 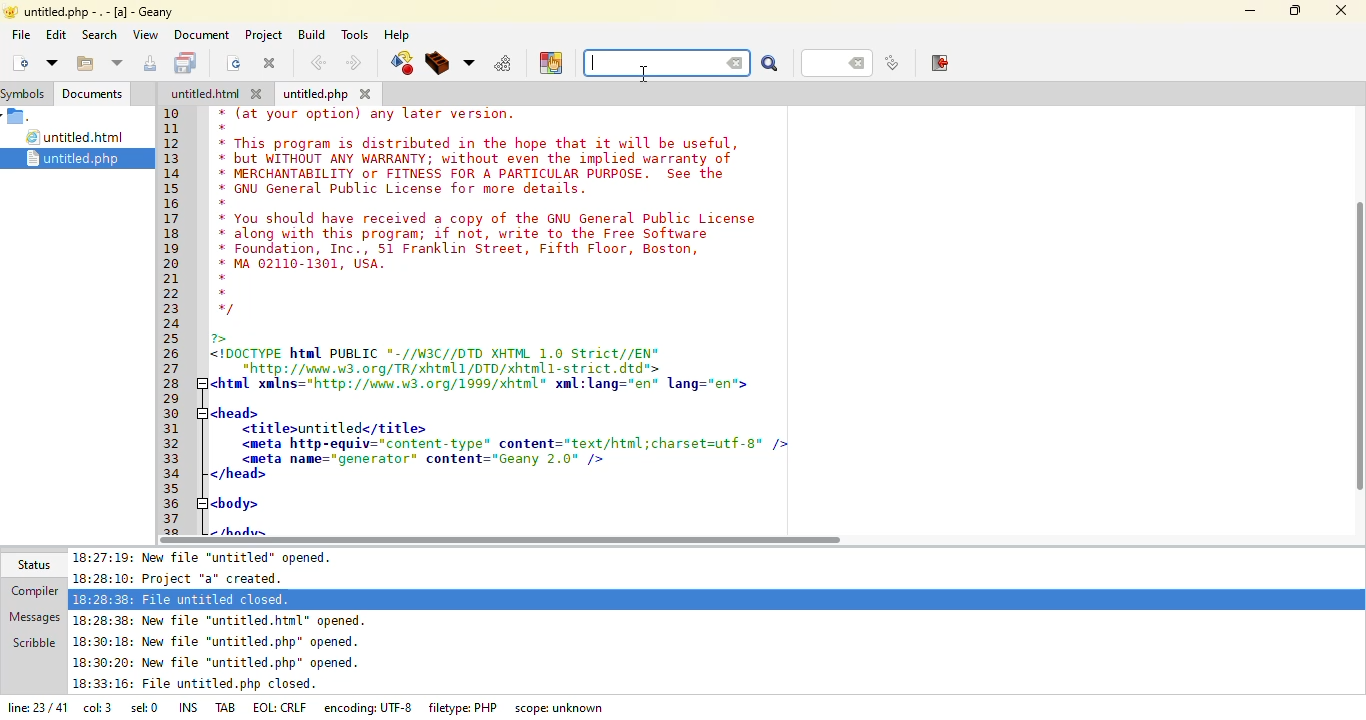 I want to click on <html xmlns="http://www.w3.org/1999/xhtml" xml:lang="en" lang="en">, so click(x=489, y=384).